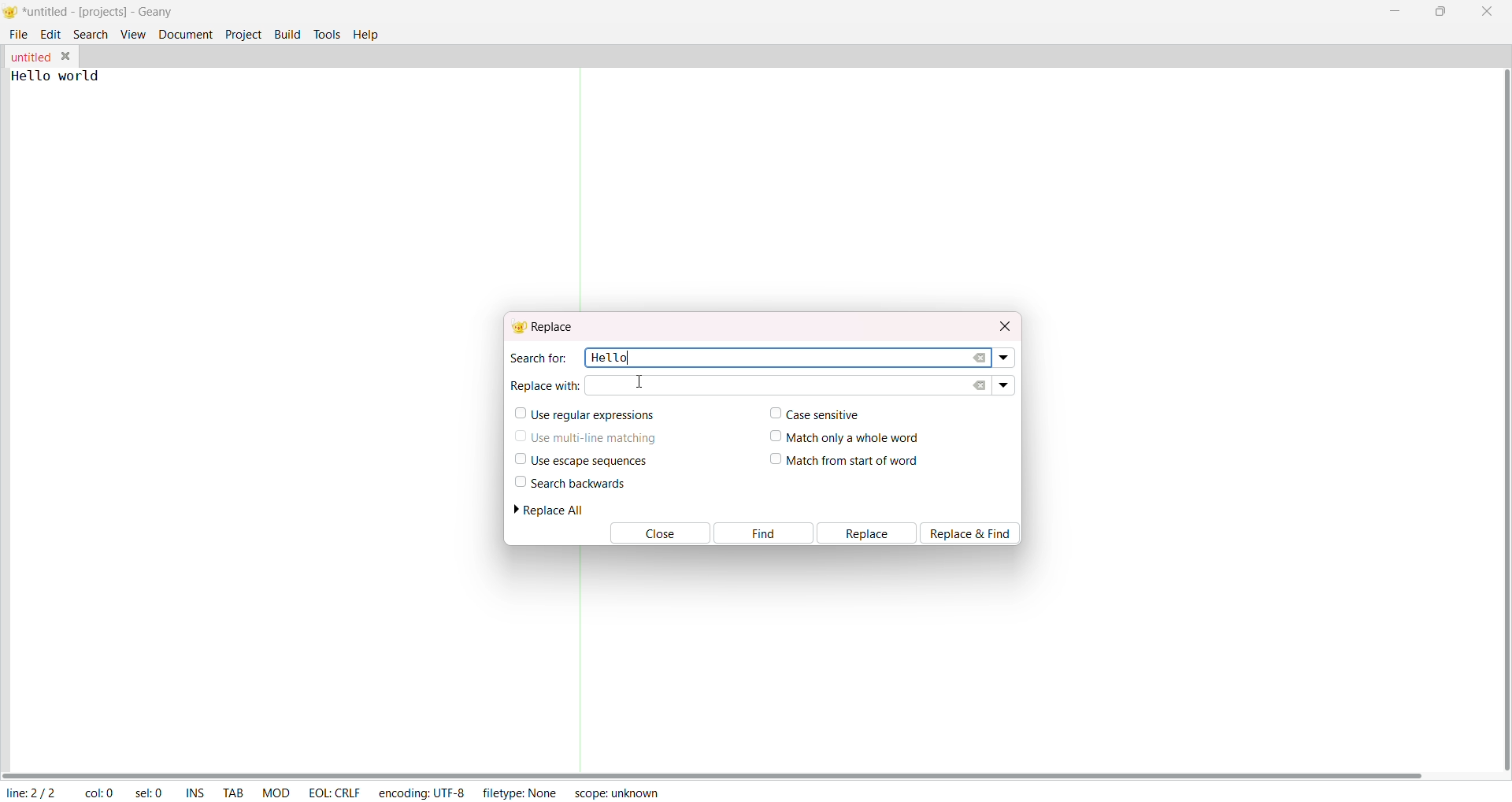 This screenshot has height=802, width=1512. Describe the element at coordinates (547, 327) in the screenshot. I see `replace` at that location.